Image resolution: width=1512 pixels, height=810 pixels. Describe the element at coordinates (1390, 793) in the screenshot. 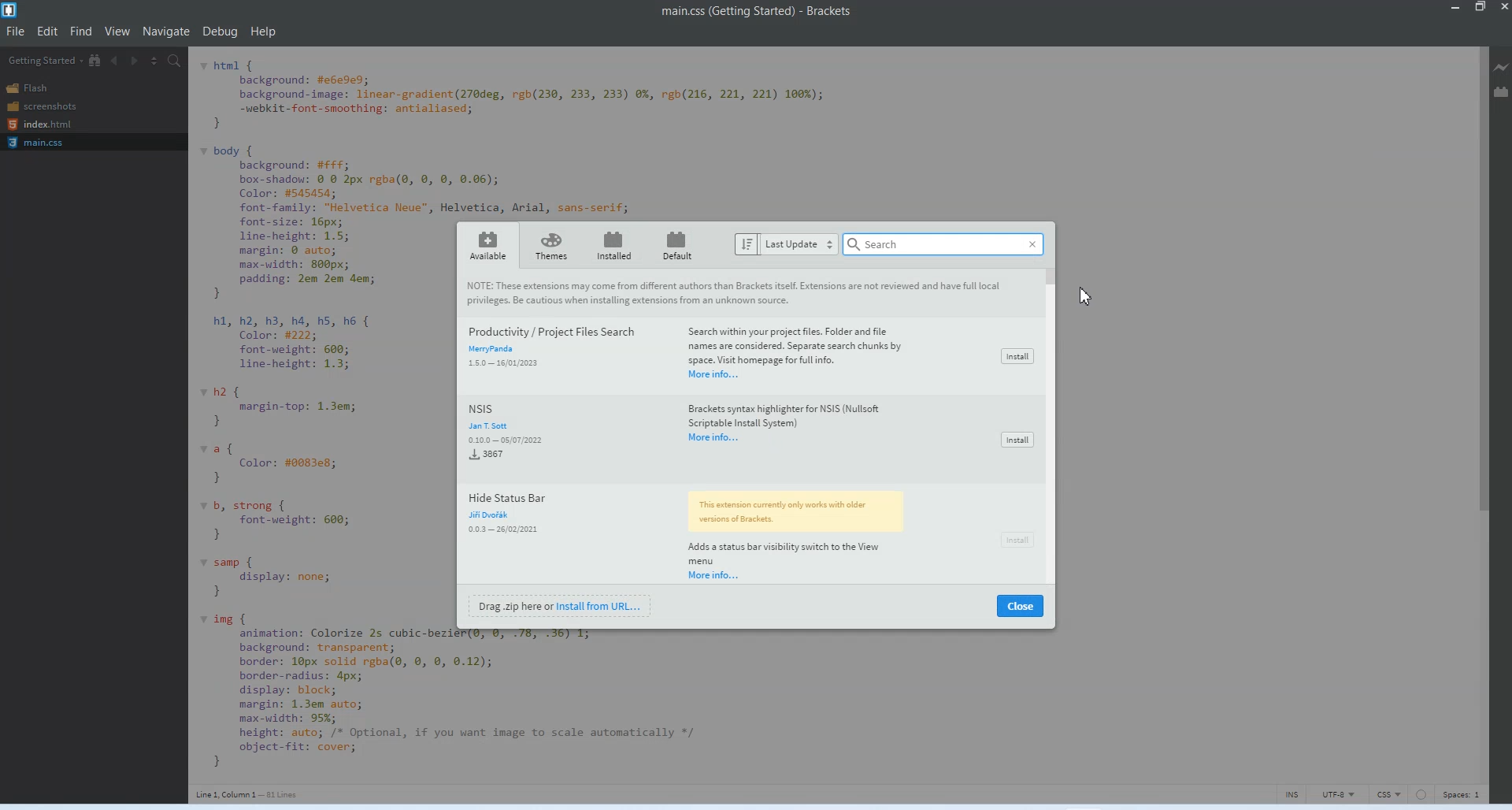

I see `CSS` at that location.